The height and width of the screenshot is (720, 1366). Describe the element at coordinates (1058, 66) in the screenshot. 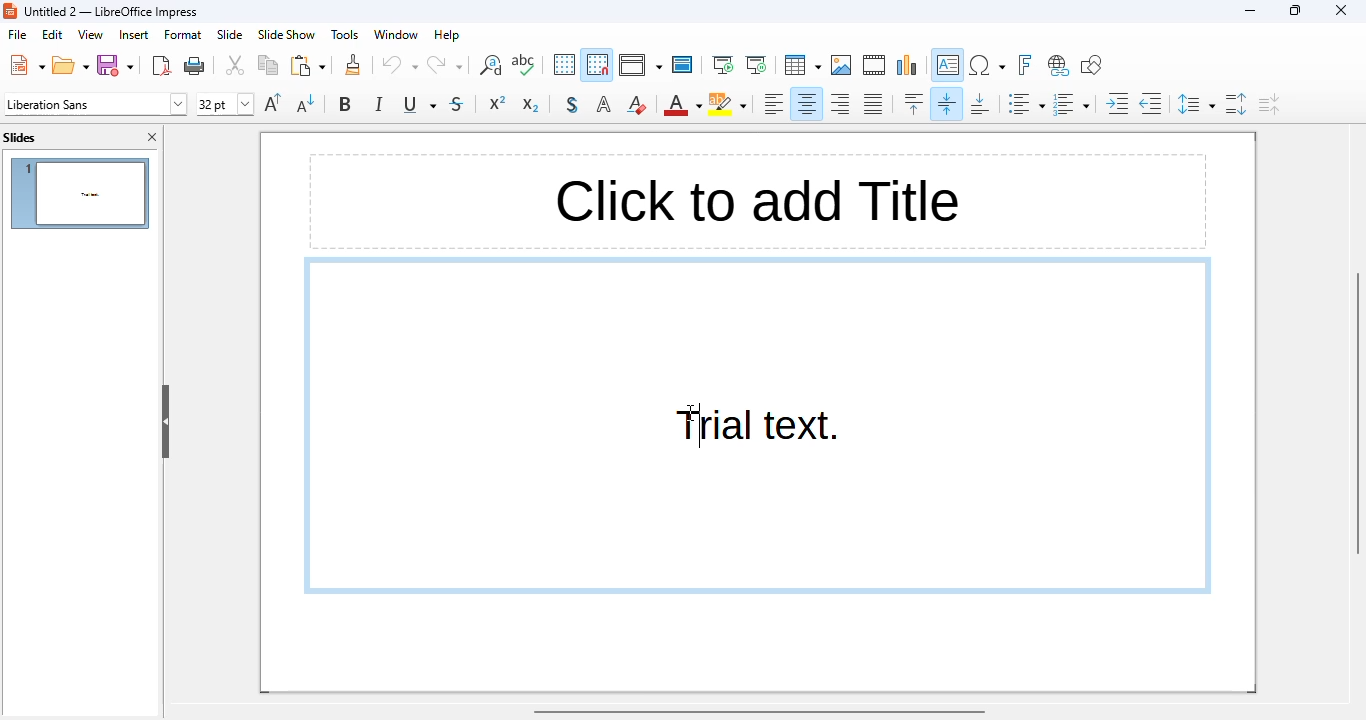

I see `insert hyperlink` at that location.